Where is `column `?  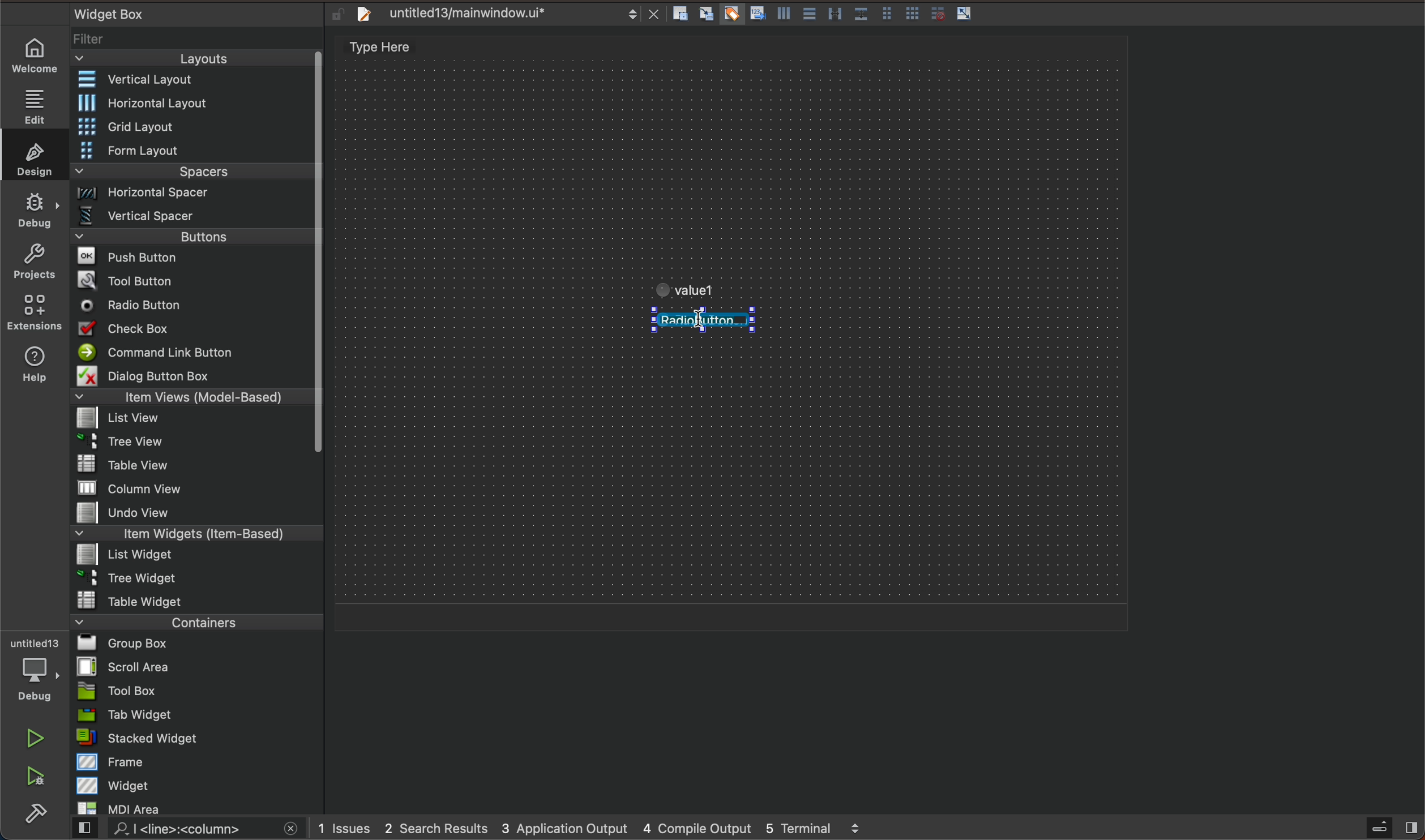
column  is located at coordinates (198, 487).